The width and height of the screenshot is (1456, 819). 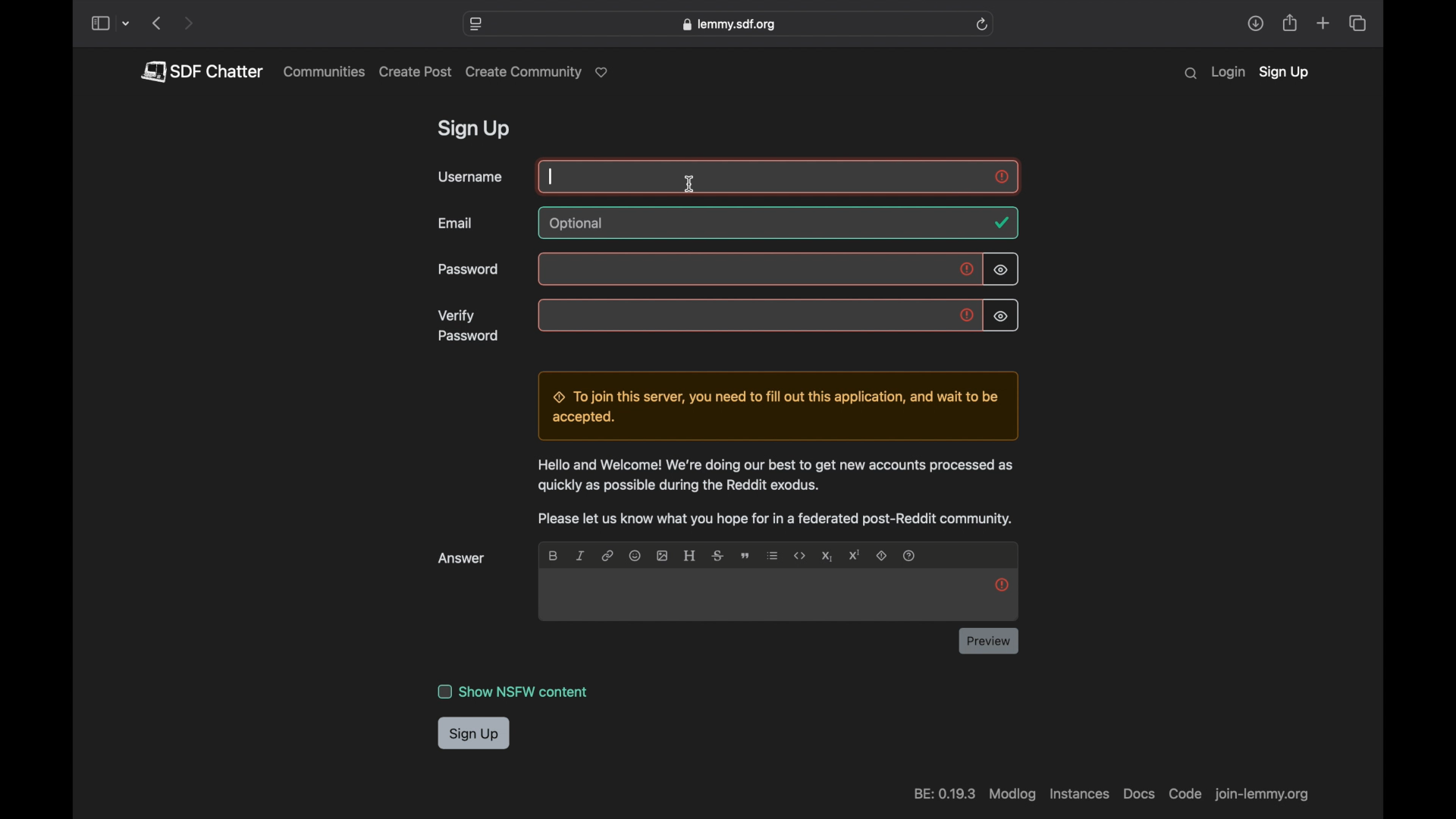 I want to click on tick mark, so click(x=1001, y=223).